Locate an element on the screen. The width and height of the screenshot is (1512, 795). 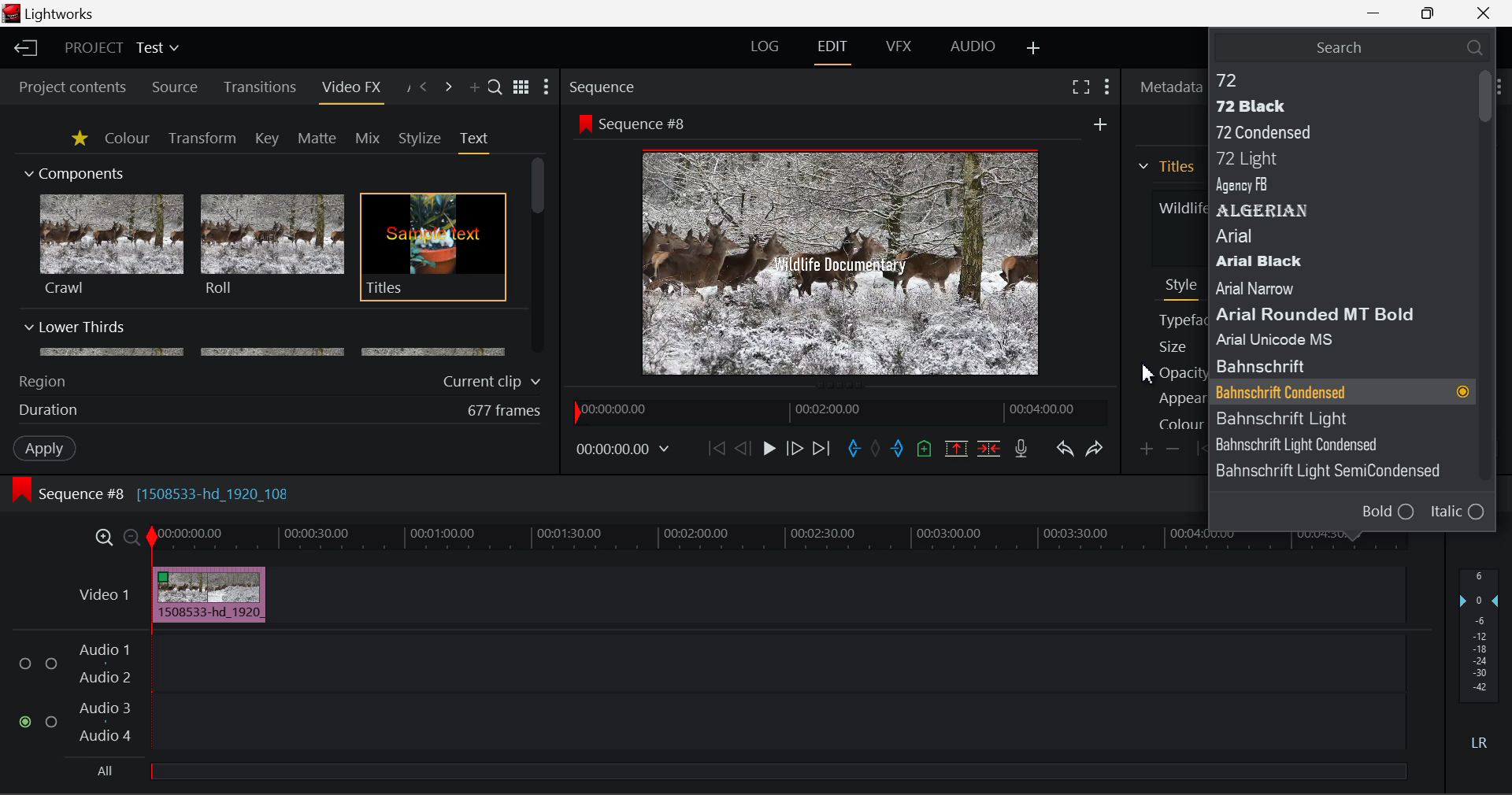
Bahnschrift is located at coordinates (1295, 364).